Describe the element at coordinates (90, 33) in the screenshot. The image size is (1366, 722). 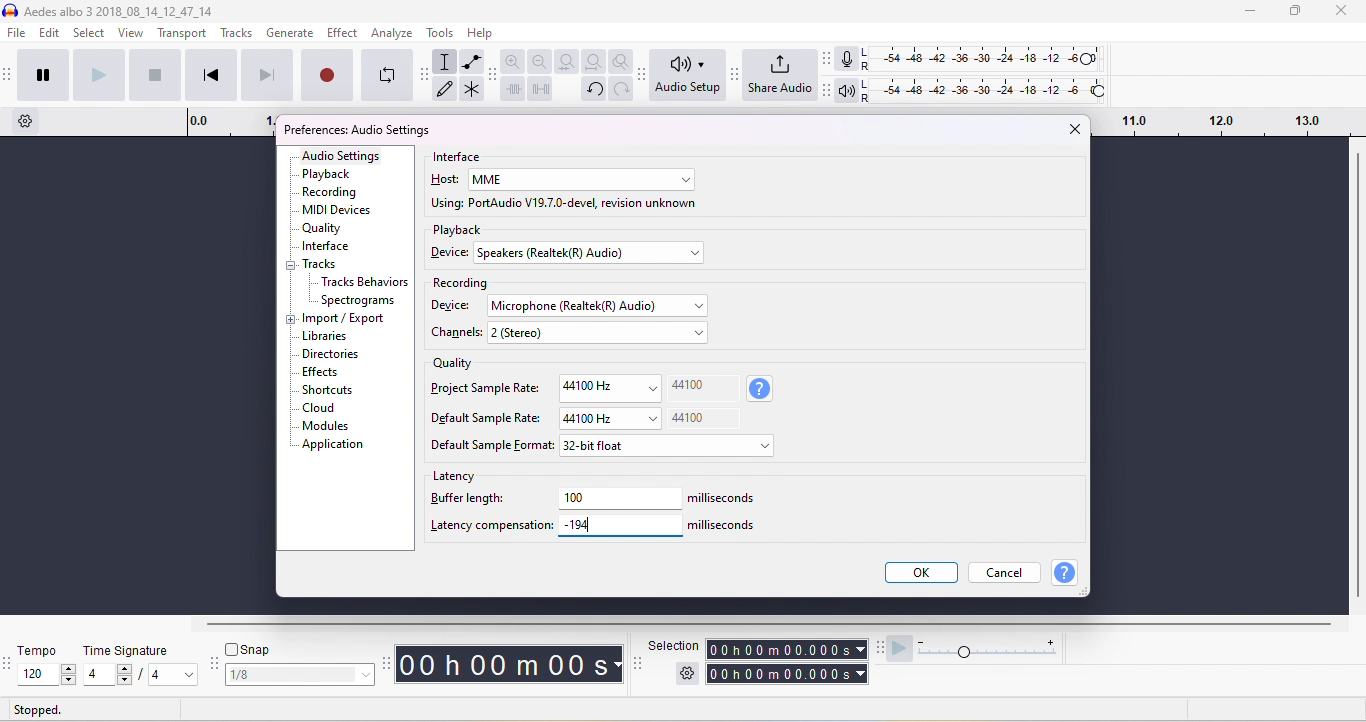
I see `select` at that location.